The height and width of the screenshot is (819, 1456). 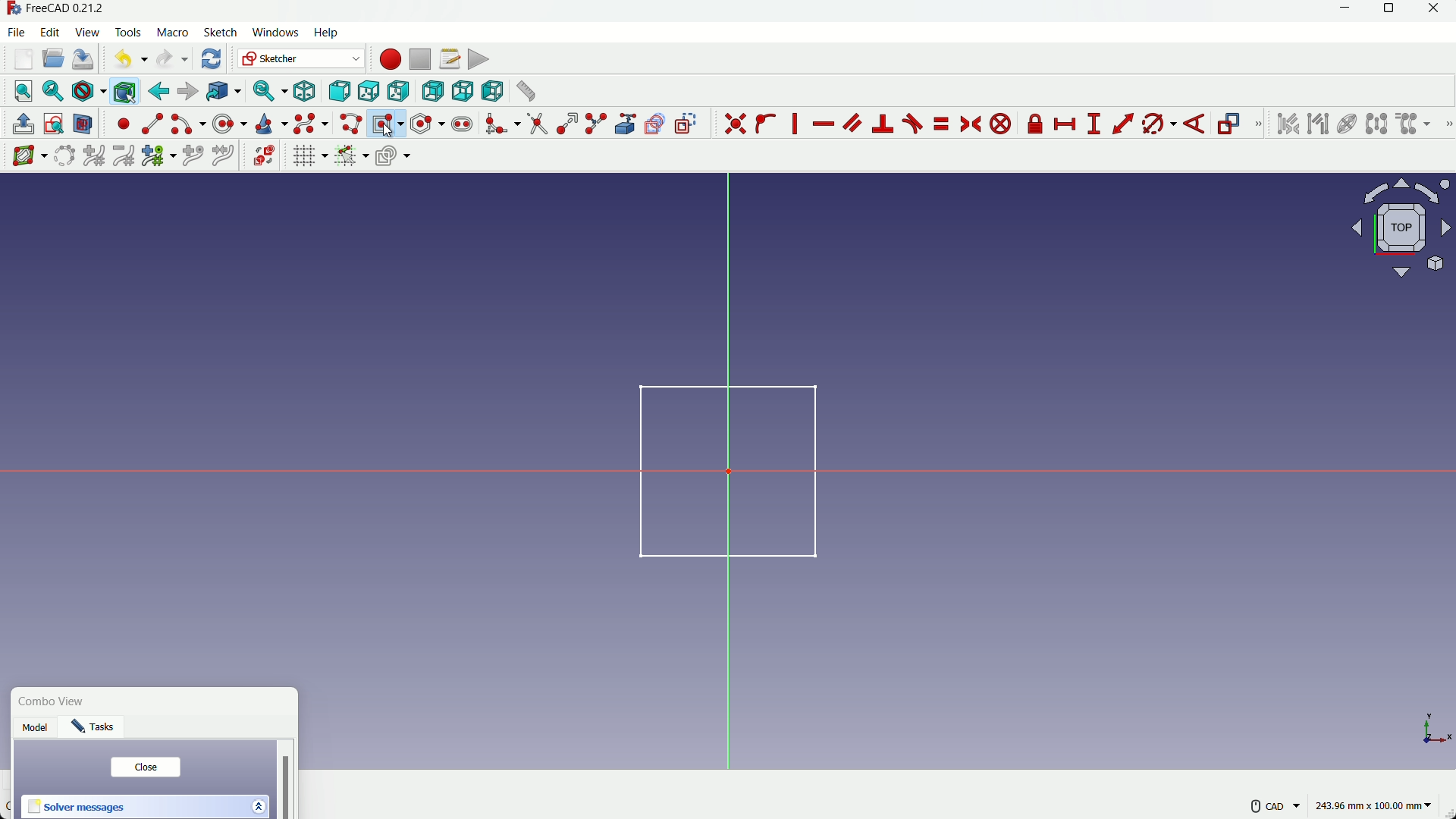 What do you see at coordinates (852, 121) in the screenshot?
I see `constraint parallel` at bounding box center [852, 121].